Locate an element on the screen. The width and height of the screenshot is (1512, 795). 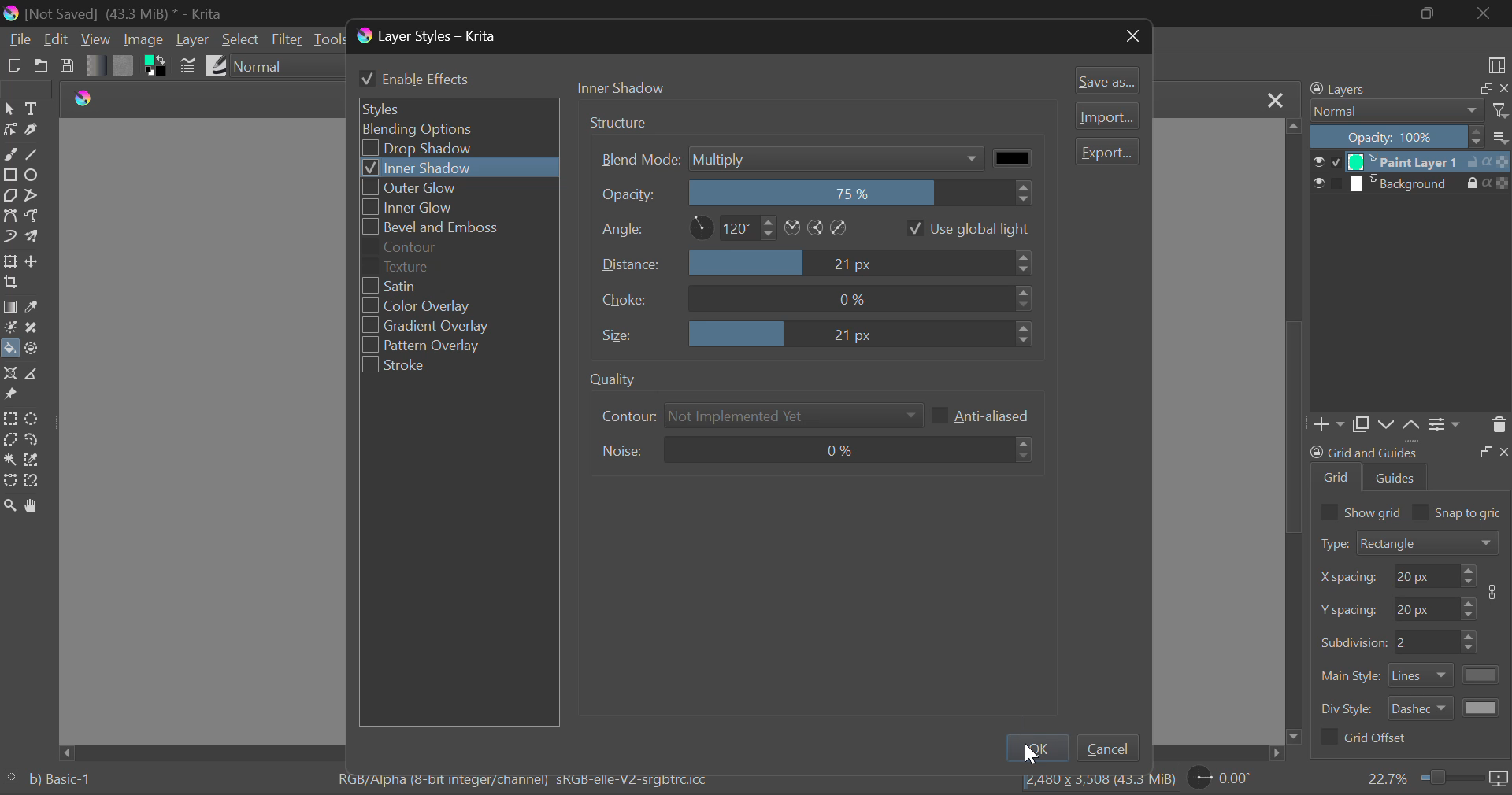
Brush Settings is located at coordinates (187, 66).